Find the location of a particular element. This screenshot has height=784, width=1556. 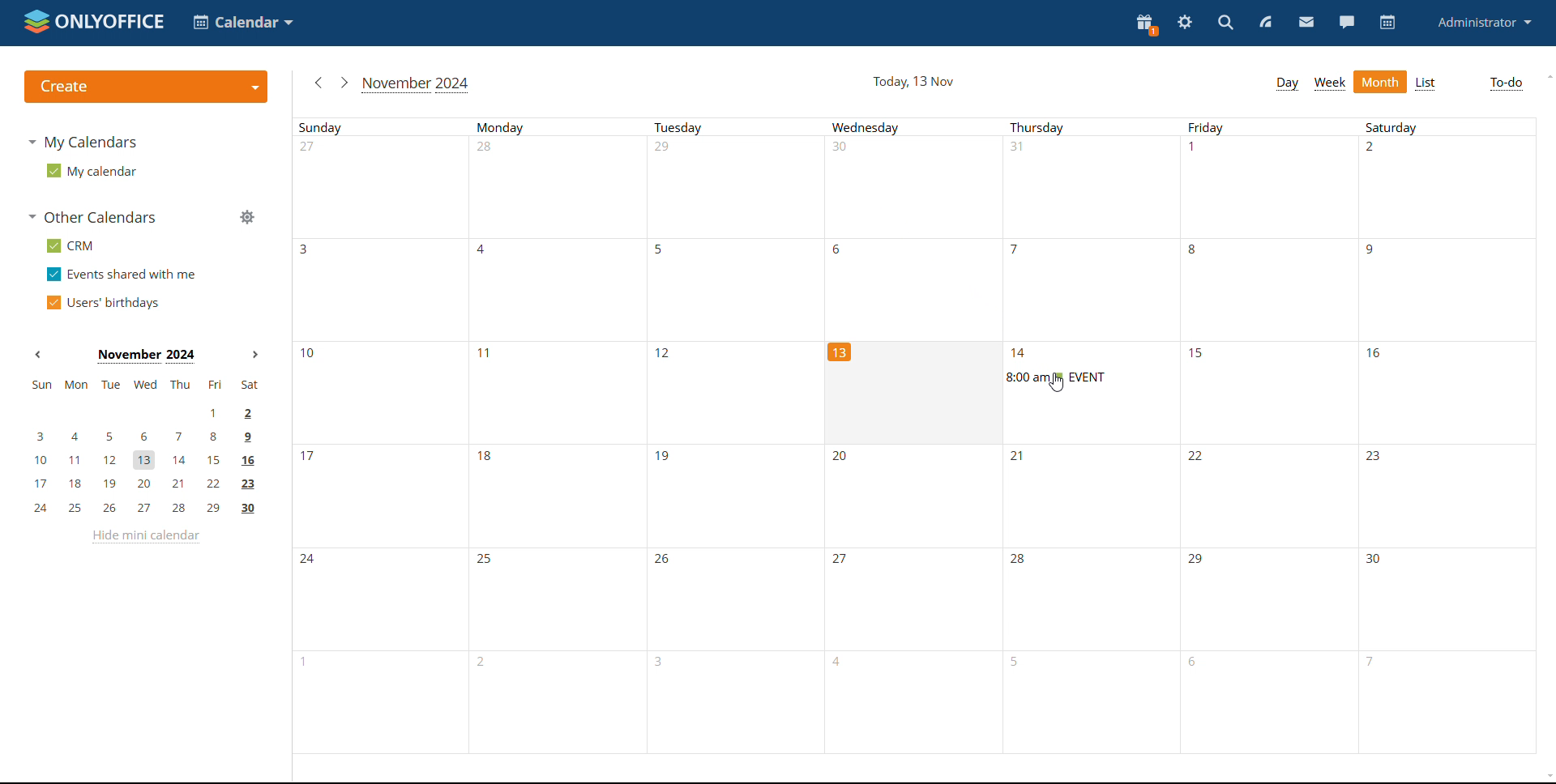

current month is located at coordinates (418, 84).